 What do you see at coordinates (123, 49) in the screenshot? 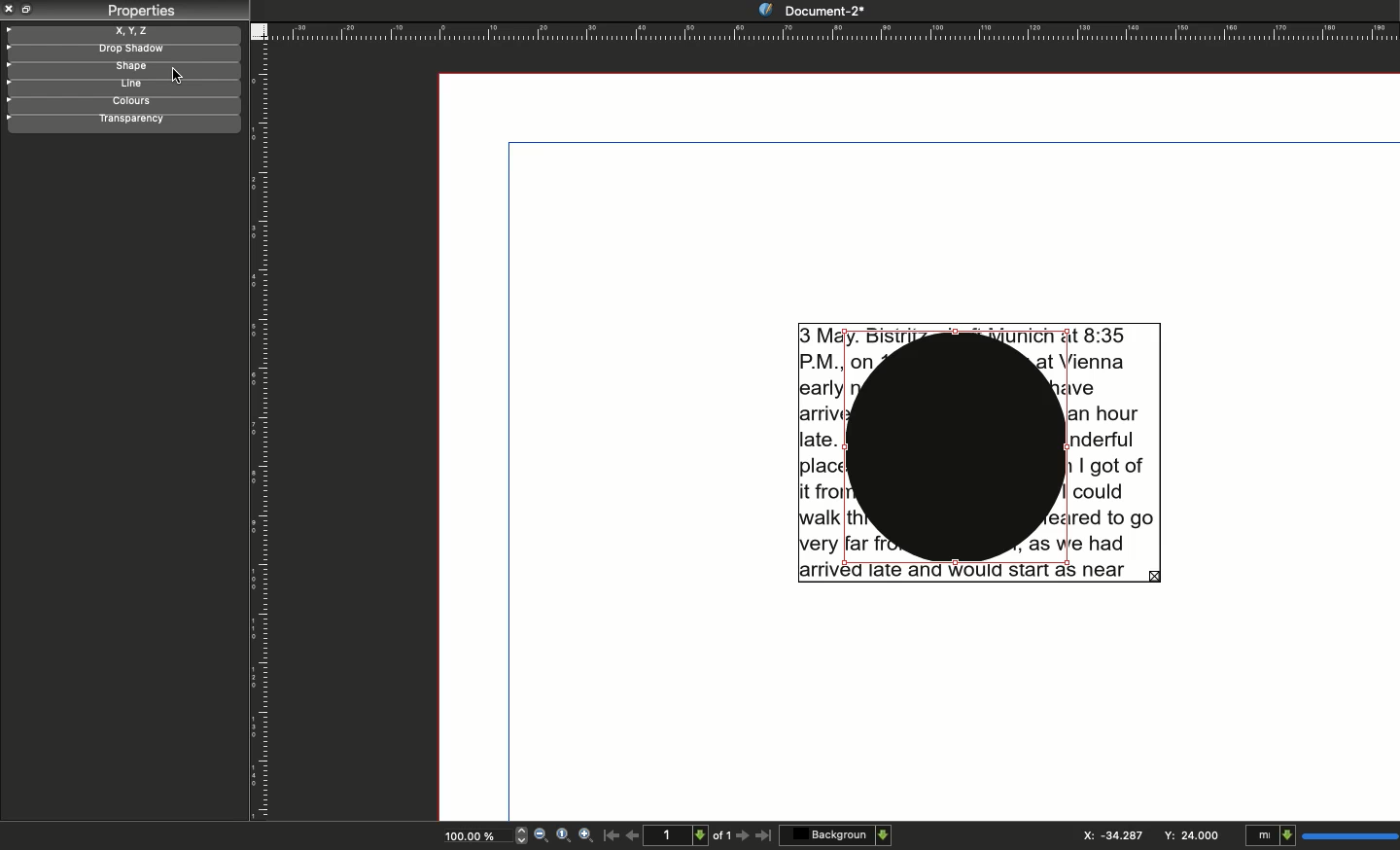
I see `Drop shadow` at bounding box center [123, 49].